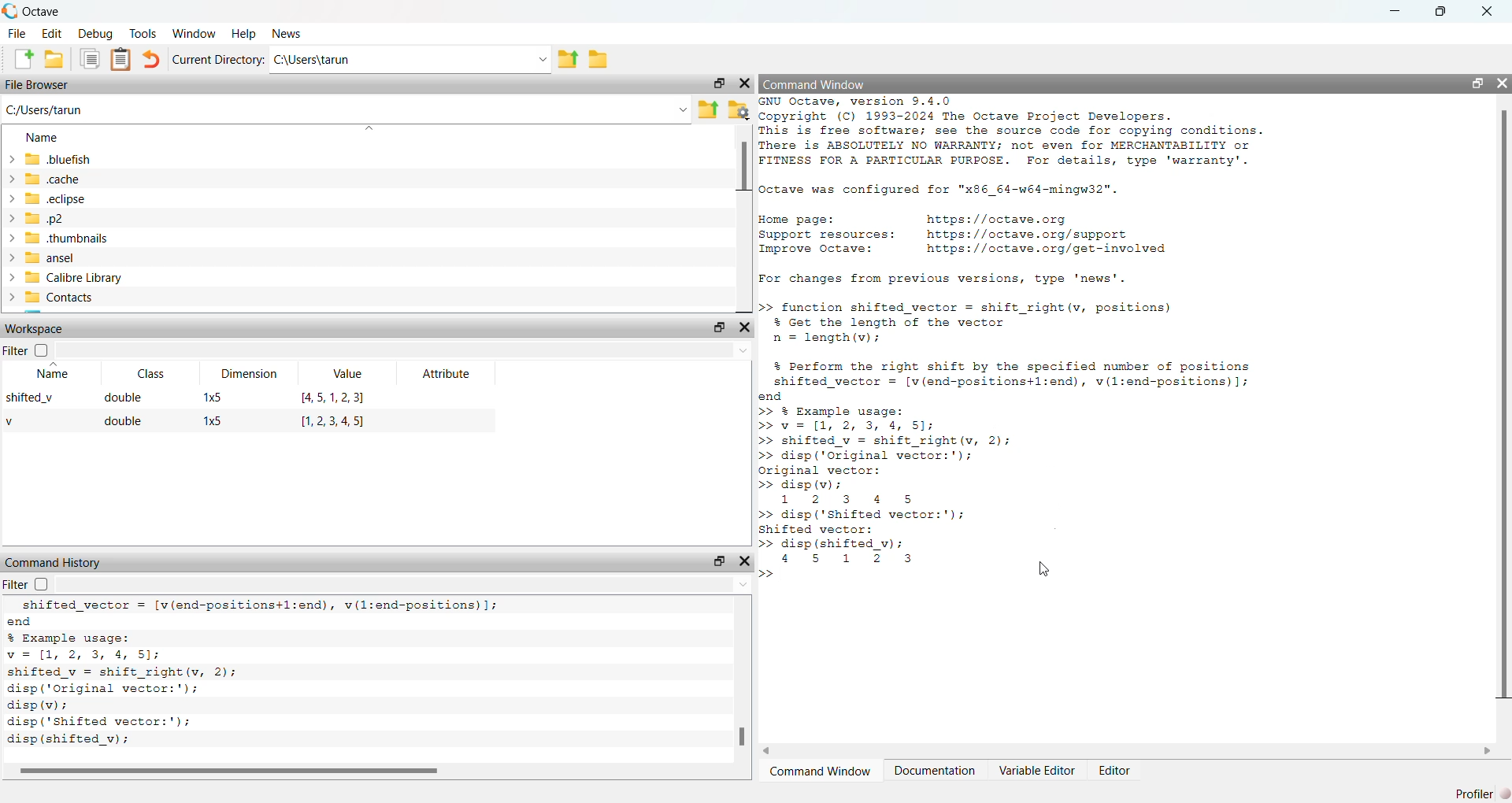  Describe the element at coordinates (767, 544) in the screenshot. I see `prompt cursor` at that location.